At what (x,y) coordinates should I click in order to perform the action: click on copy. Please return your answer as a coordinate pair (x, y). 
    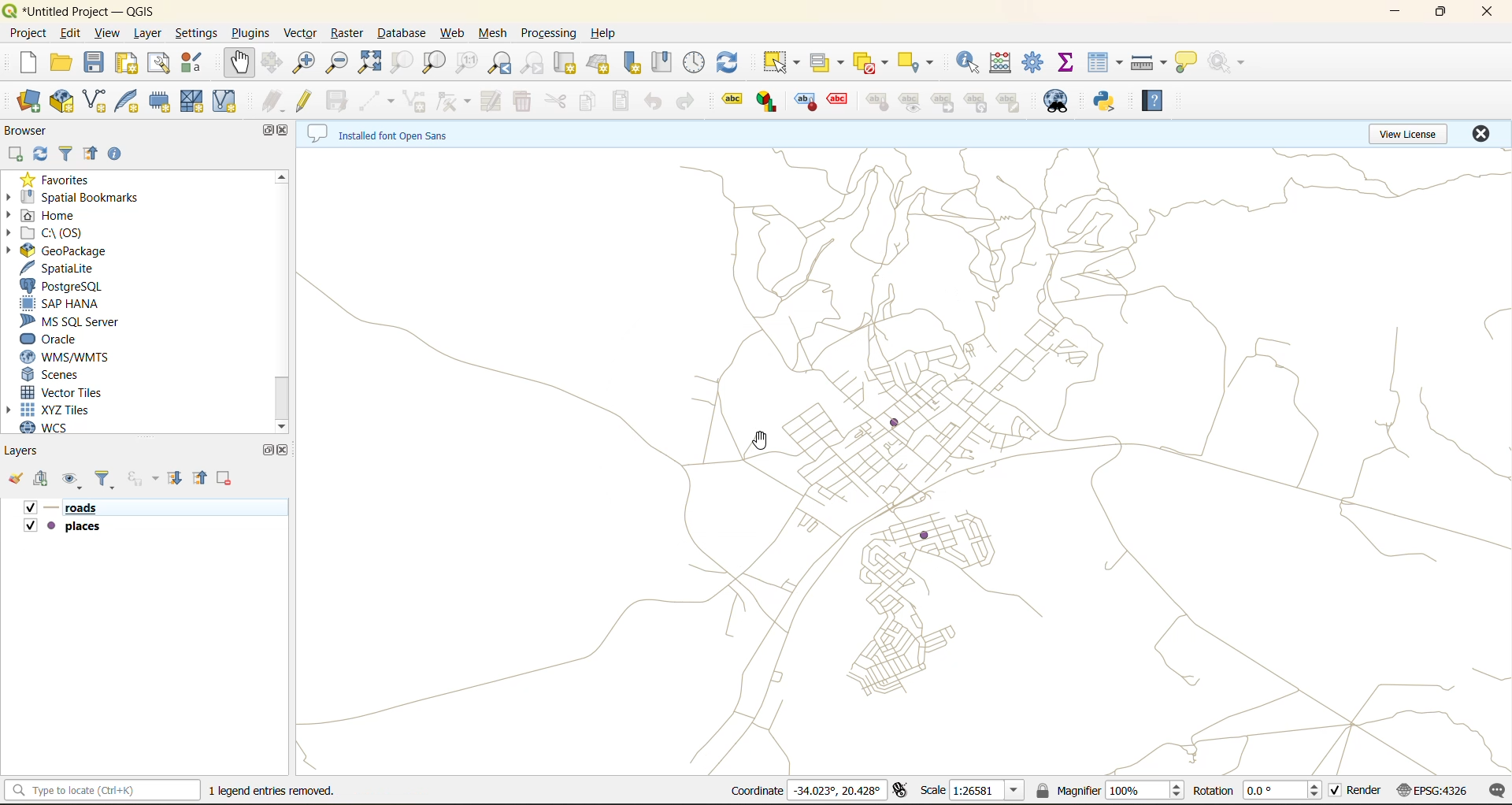
    Looking at the image, I should click on (589, 104).